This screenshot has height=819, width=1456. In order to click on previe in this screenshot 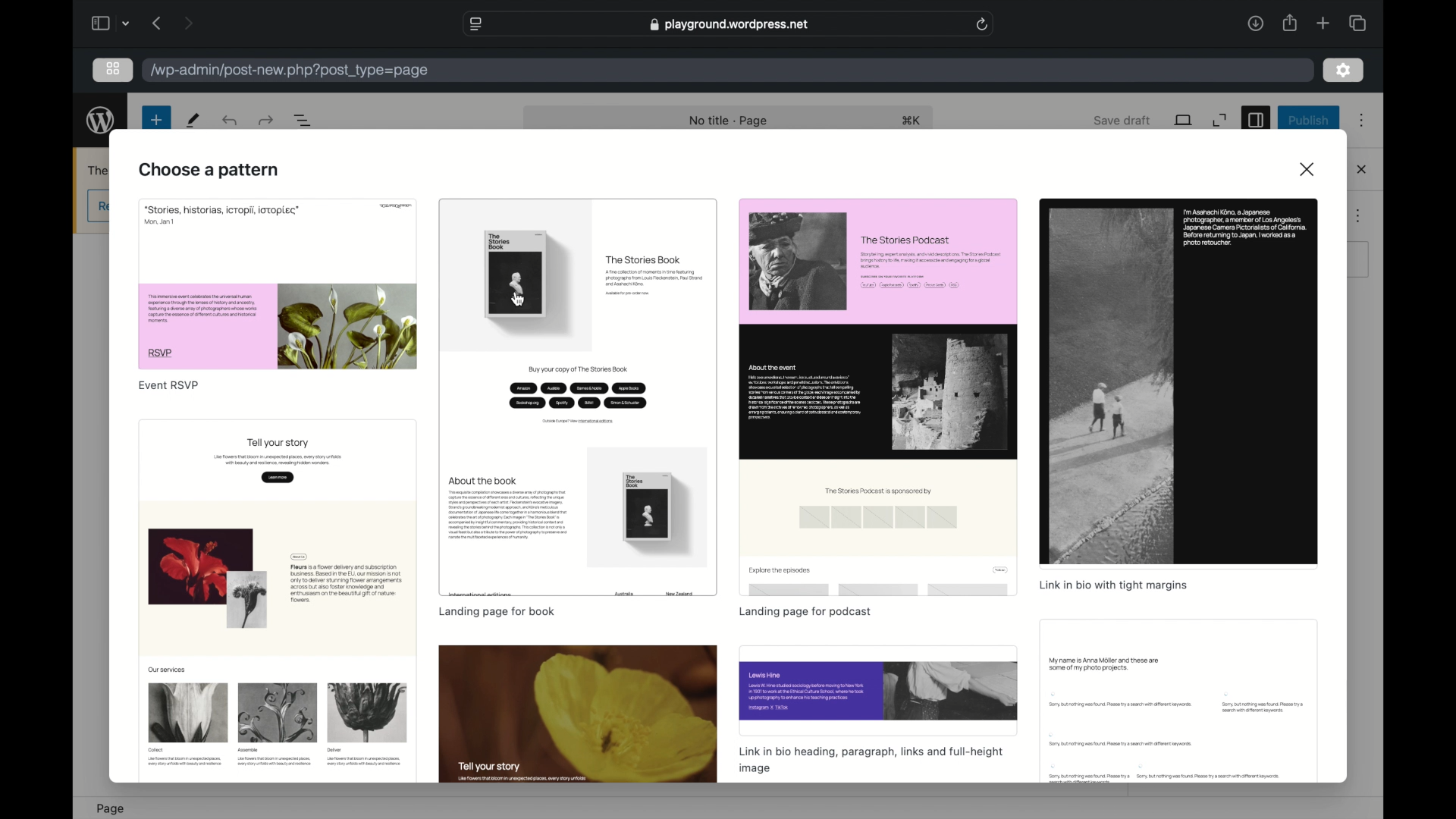, I will do `click(1178, 381)`.